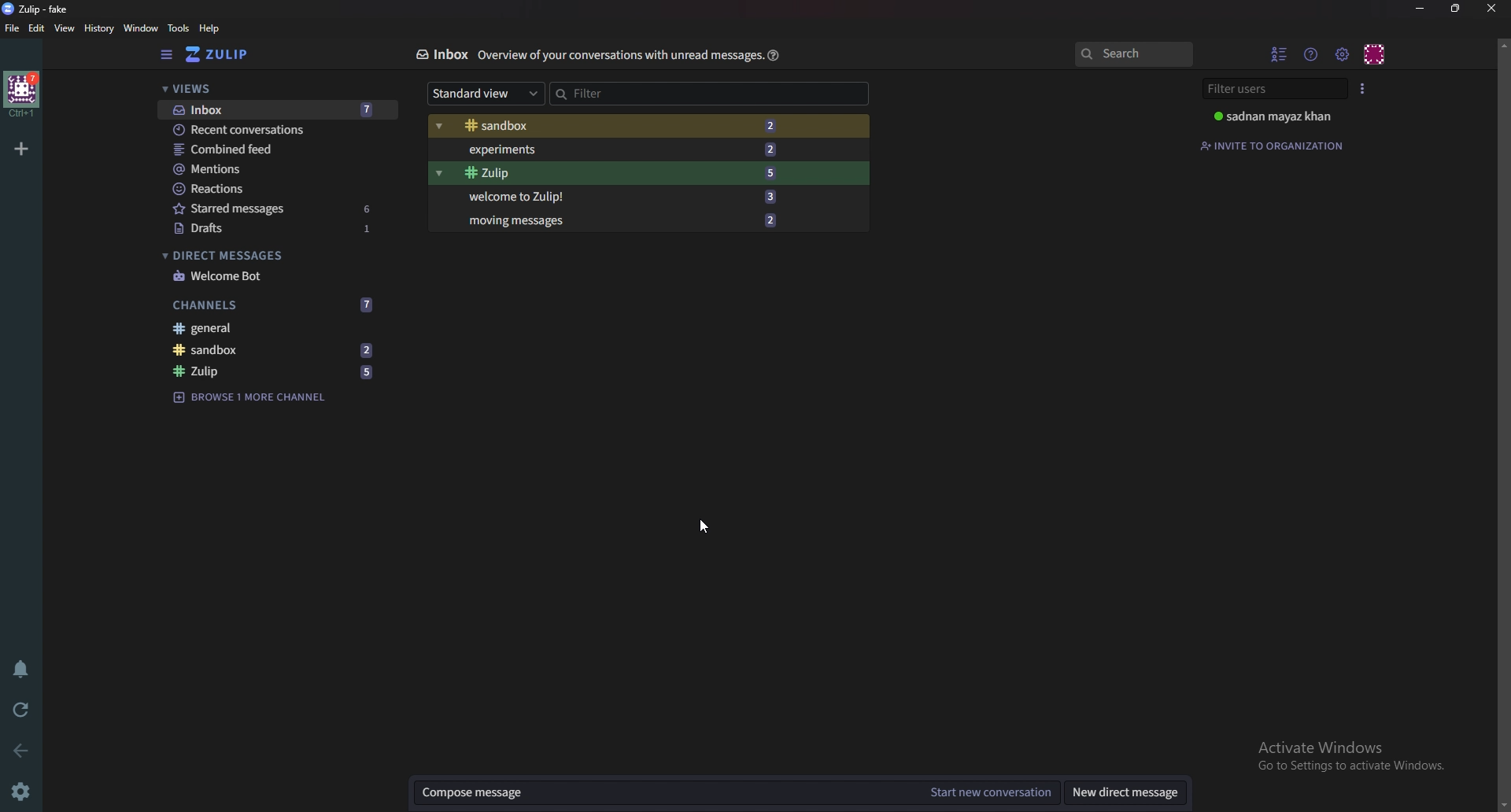 The height and width of the screenshot is (812, 1511). Describe the element at coordinates (262, 90) in the screenshot. I see `views` at that location.